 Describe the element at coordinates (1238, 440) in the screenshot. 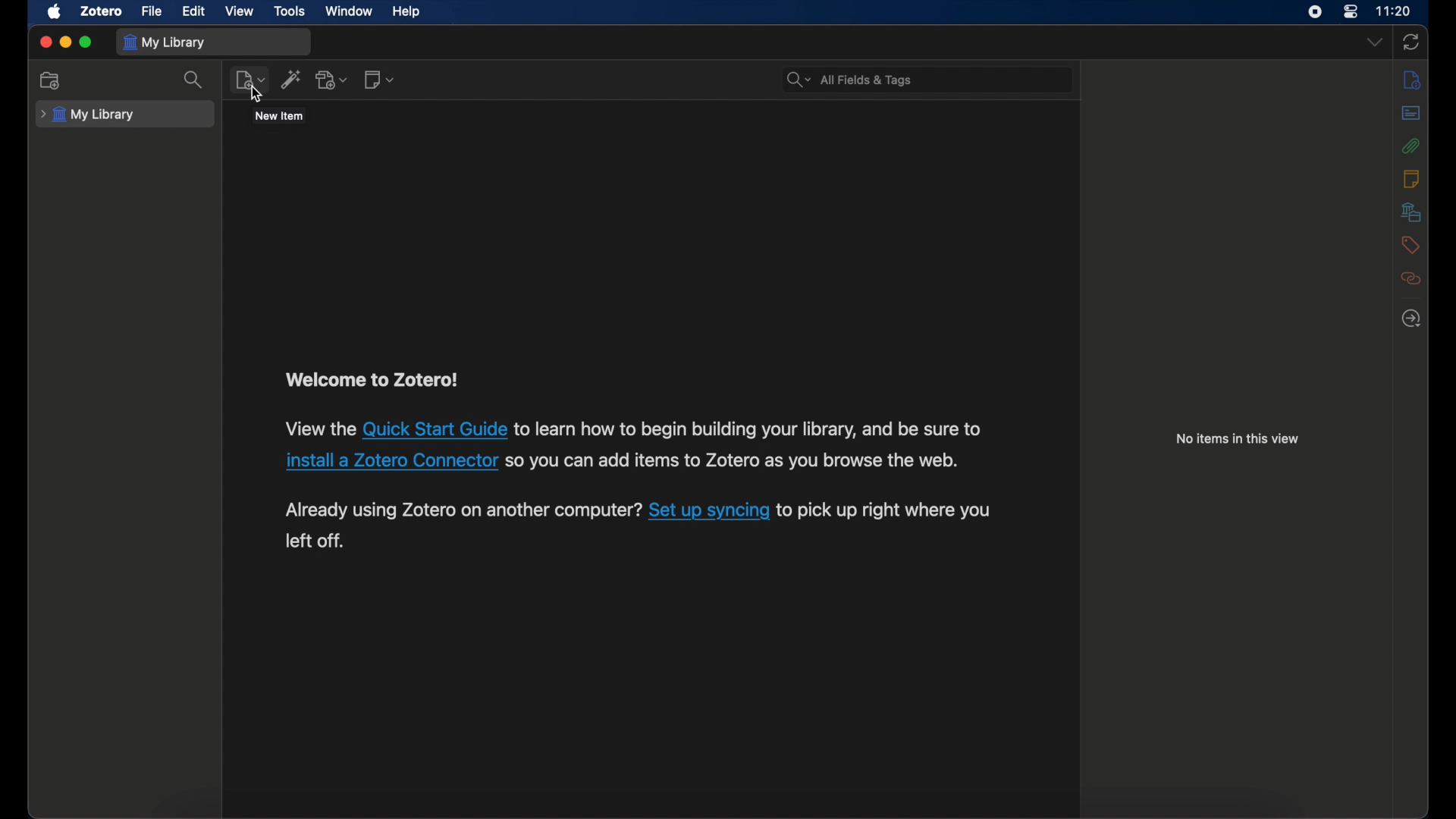

I see `no items in this view` at that location.